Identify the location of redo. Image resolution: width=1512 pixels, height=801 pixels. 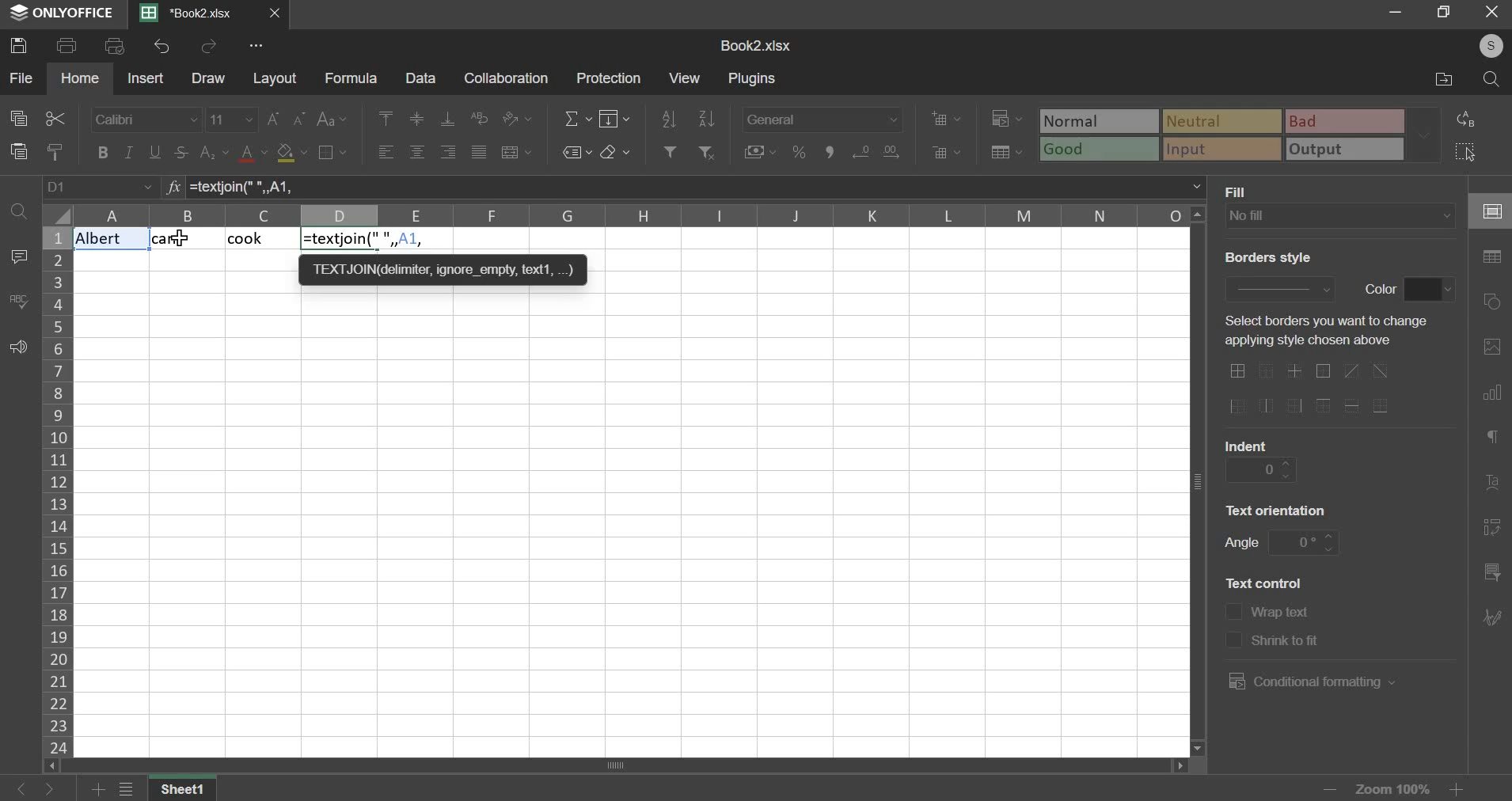
(211, 47).